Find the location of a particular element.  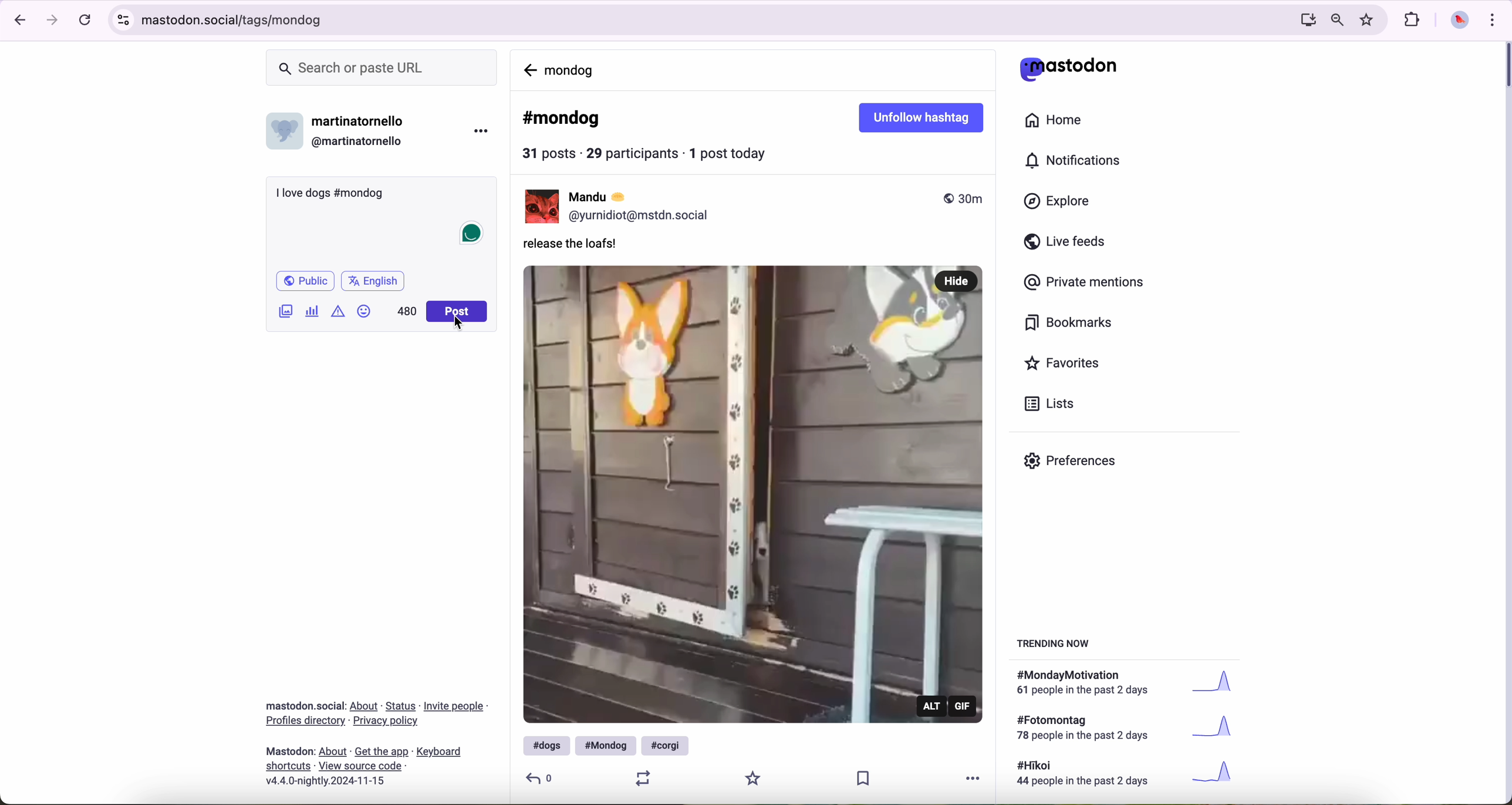

#corgi is located at coordinates (667, 745).